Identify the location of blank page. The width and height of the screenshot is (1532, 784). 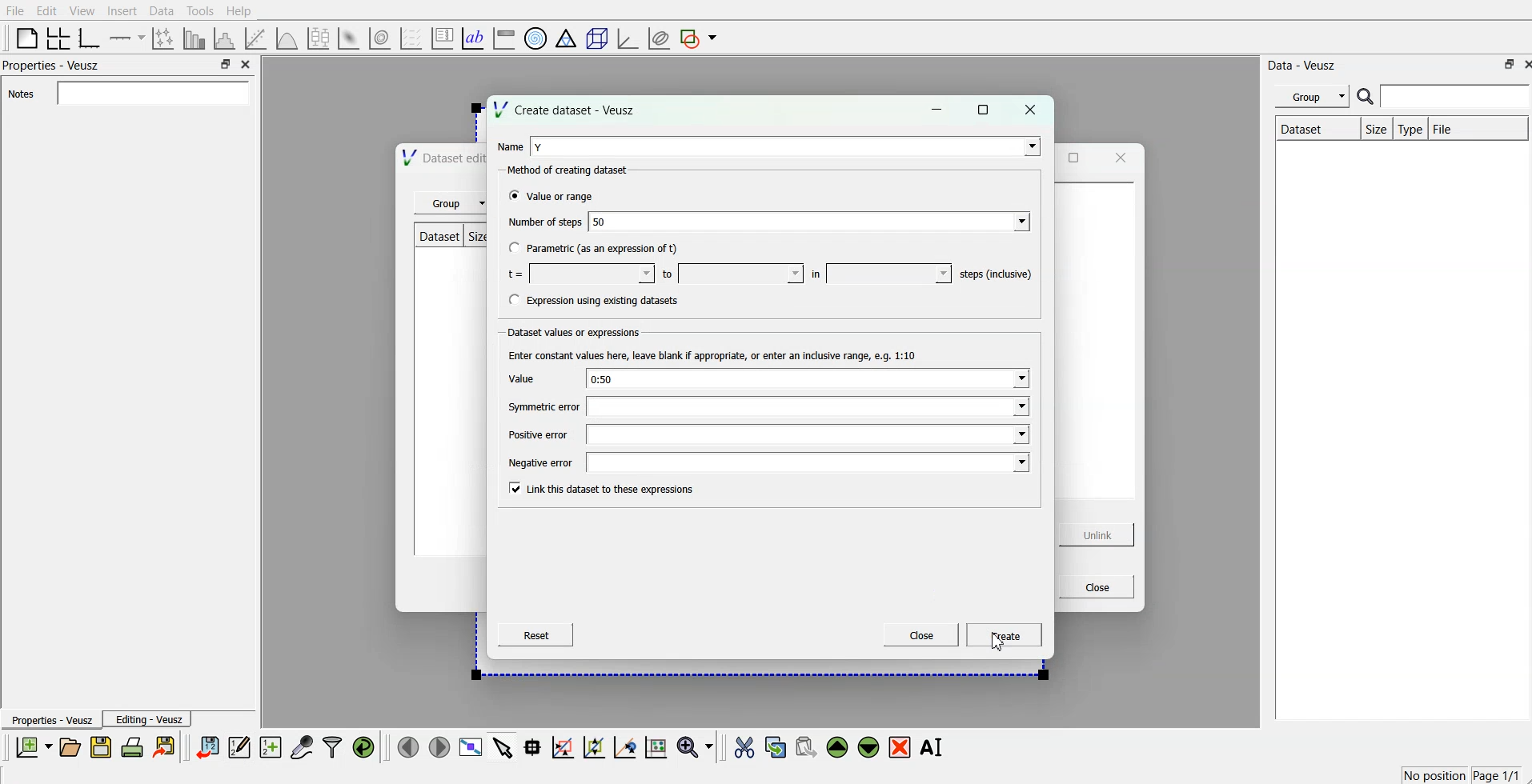
(24, 38).